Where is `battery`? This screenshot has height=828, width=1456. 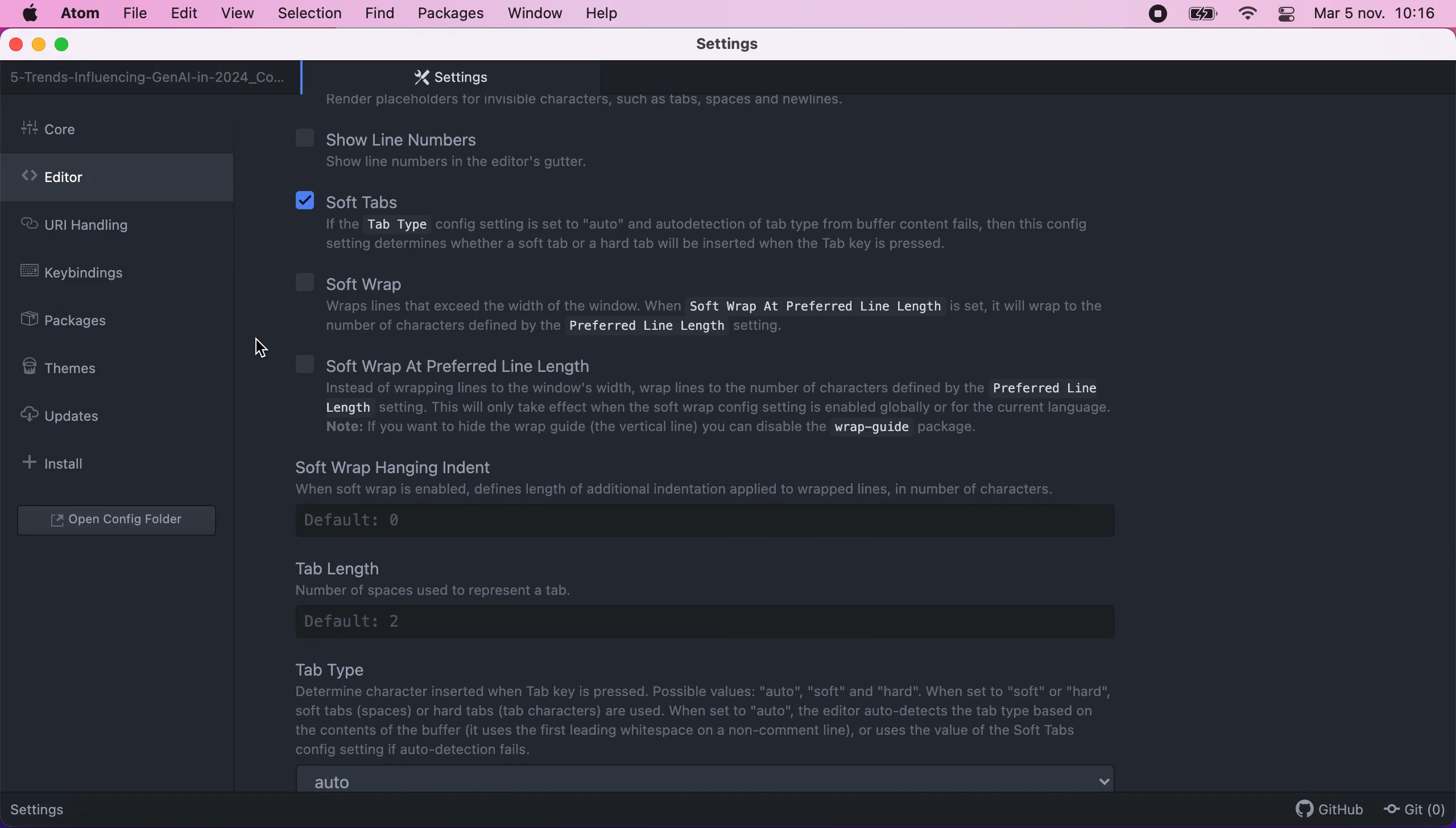 battery is located at coordinates (1202, 14).